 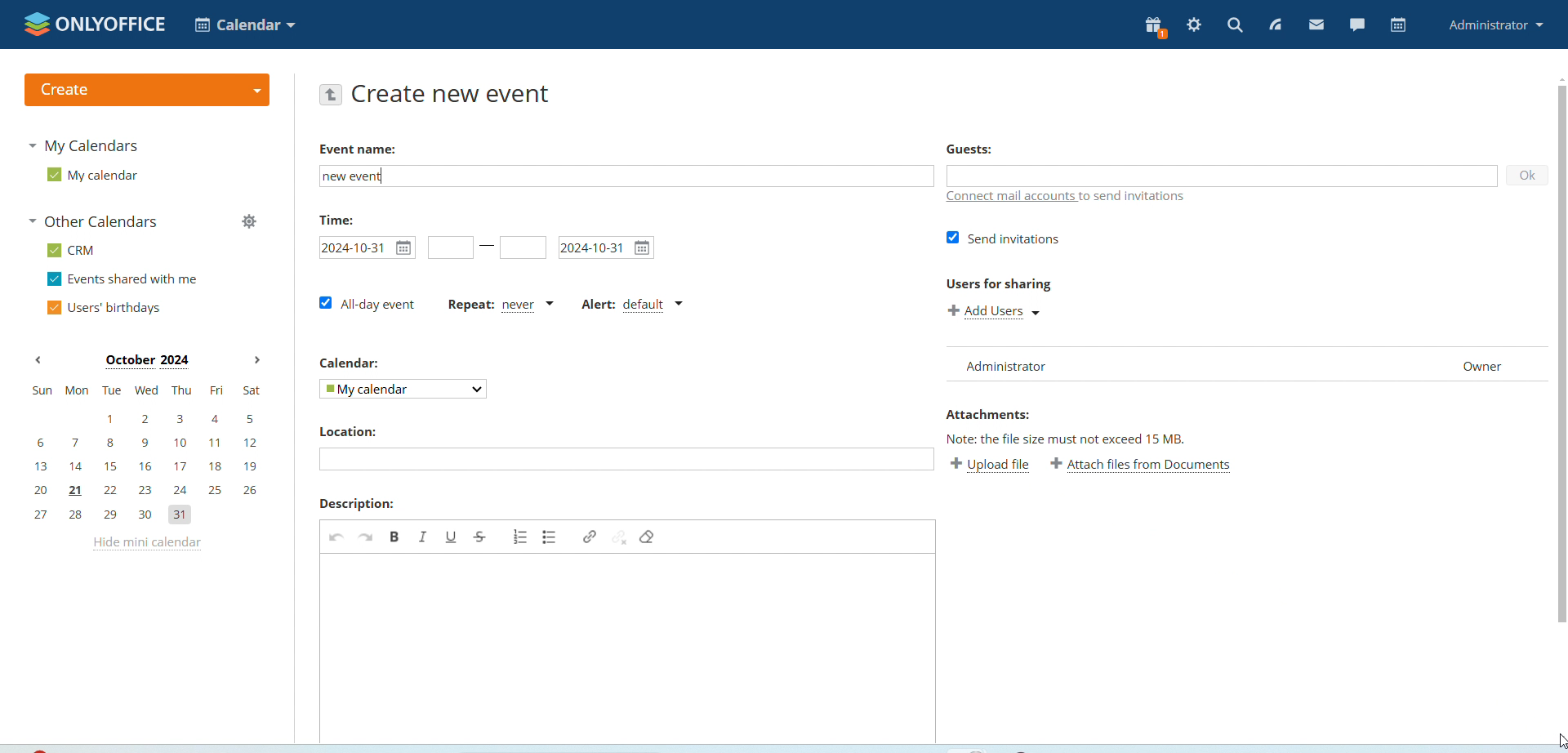 What do you see at coordinates (358, 150) in the screenshot?
I see `Event name` at bounding box center [358, 150].